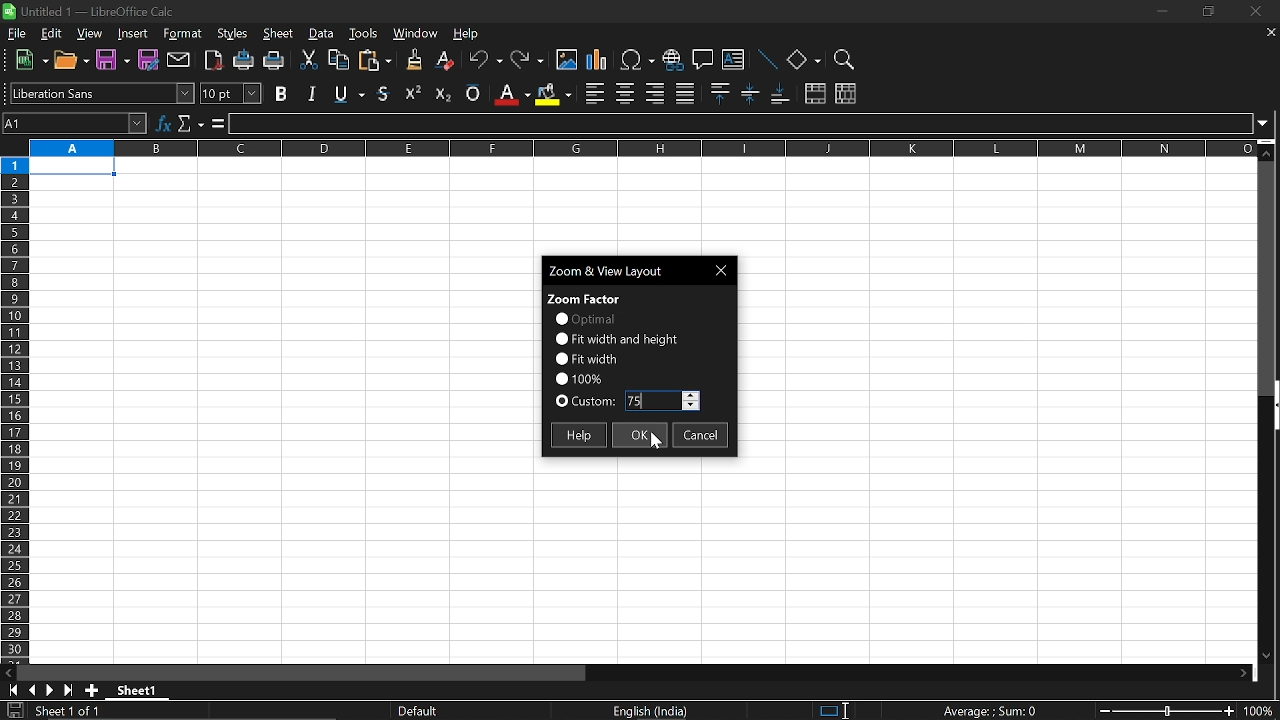  Describe the element at coordinates (364, 33) in the screenshot. I see `tools` at that location.